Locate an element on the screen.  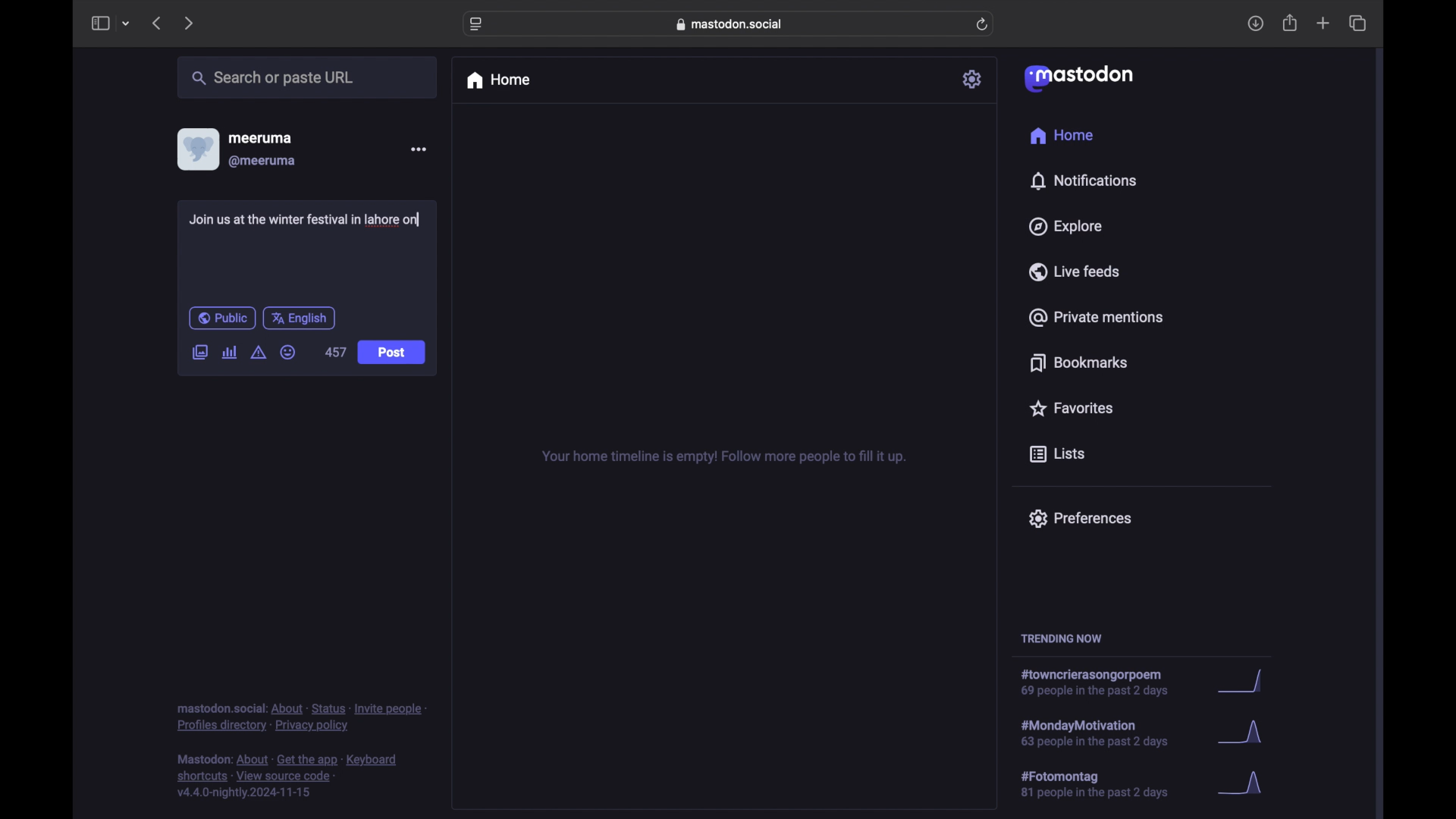
share is located at coordinates (1291, 24).